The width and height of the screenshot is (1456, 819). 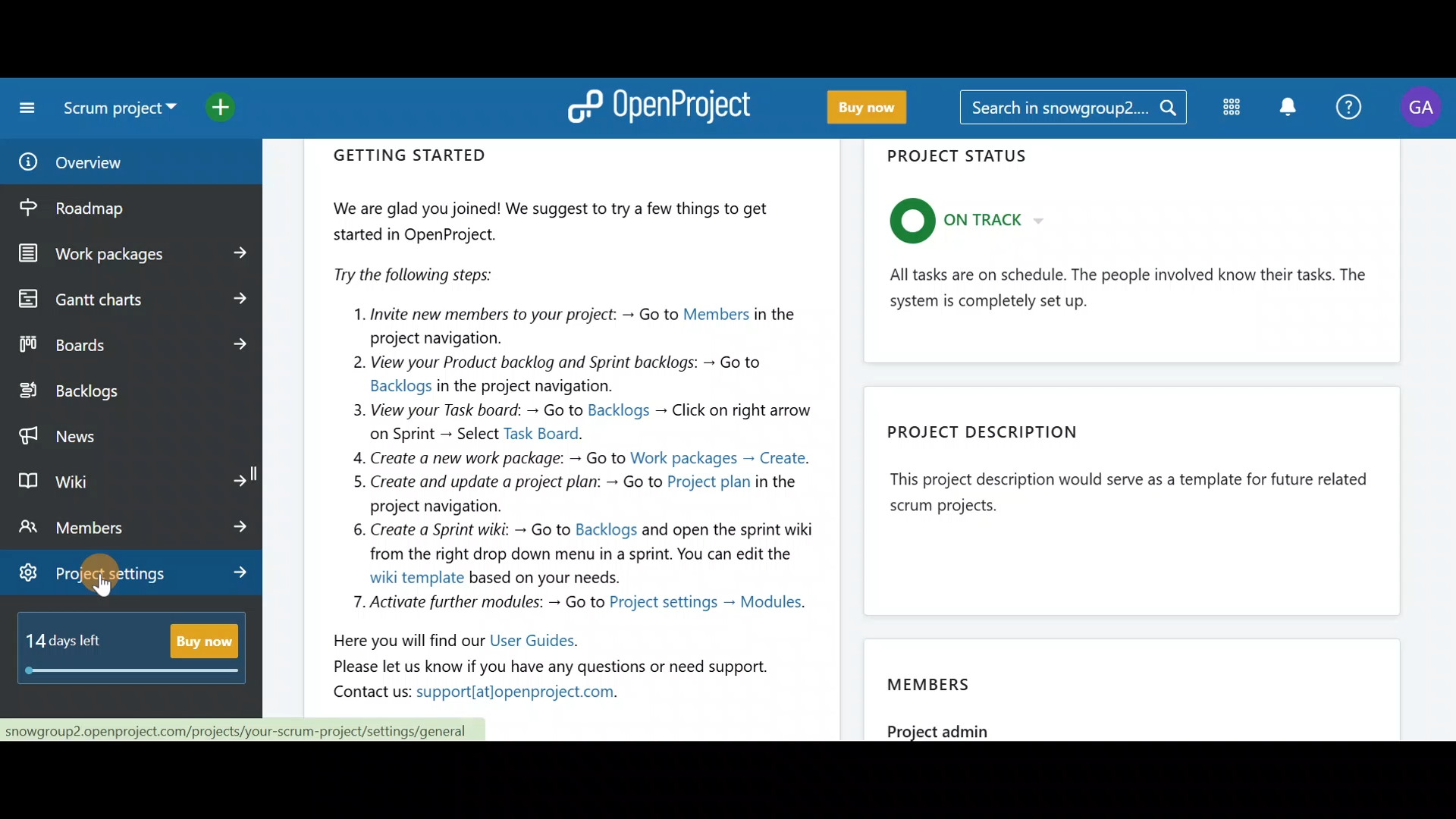 I want to click on Roadmap, so click(x=105, y=209).